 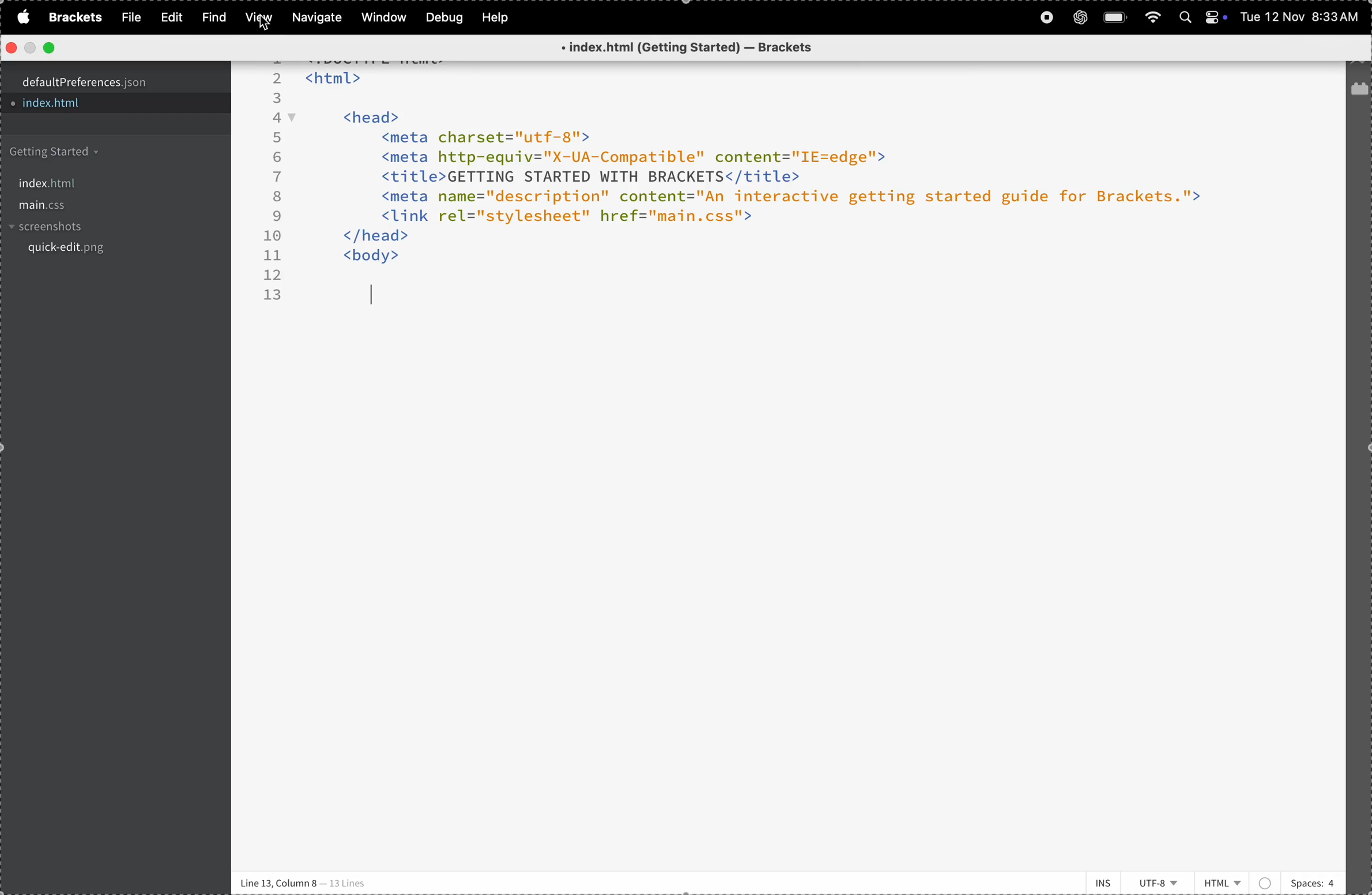 I want to click on 12 13, so click(x=273, y=286).